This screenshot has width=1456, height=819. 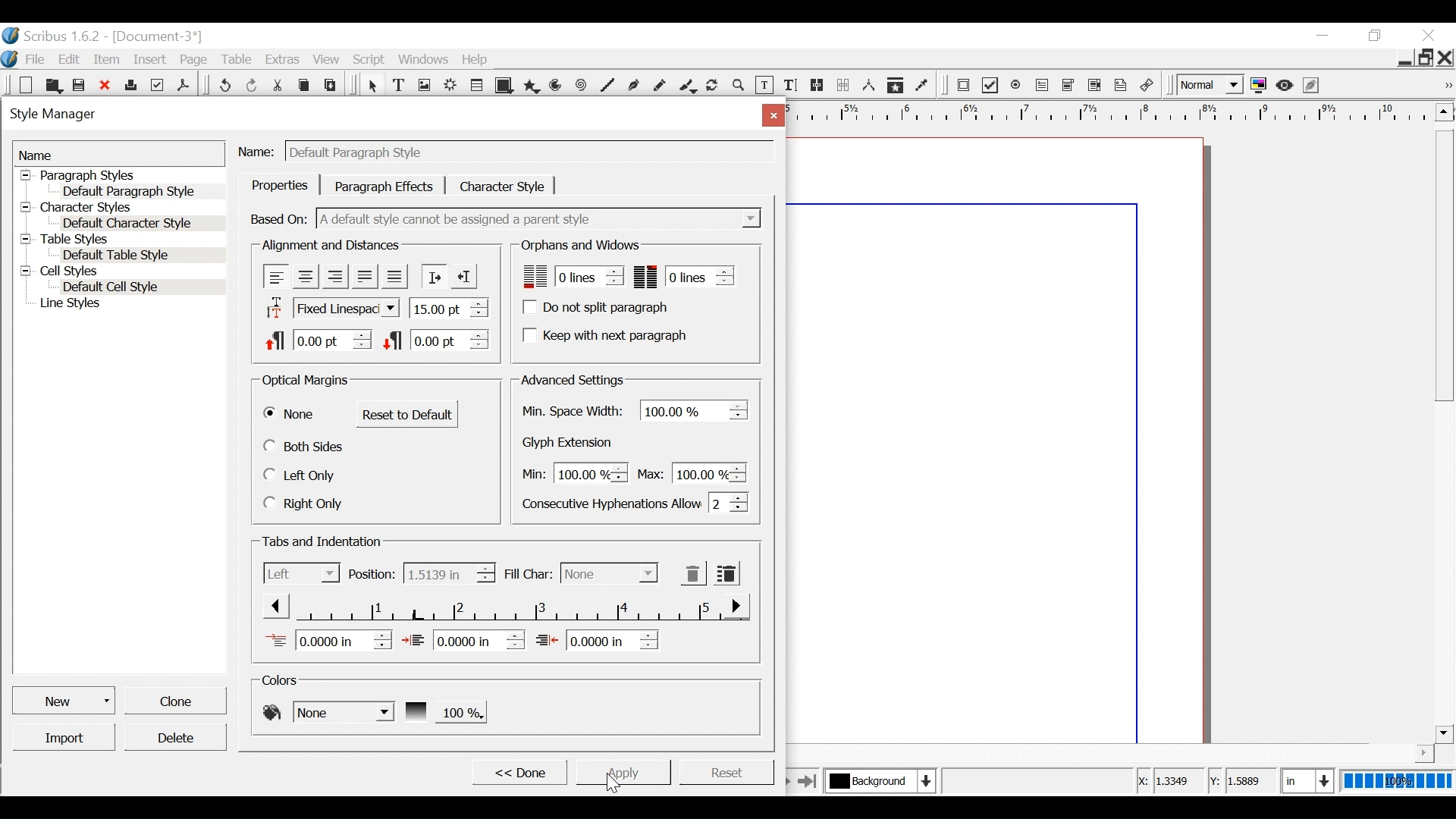 I want to click on Scroll up, so click(x=1442, y=111).